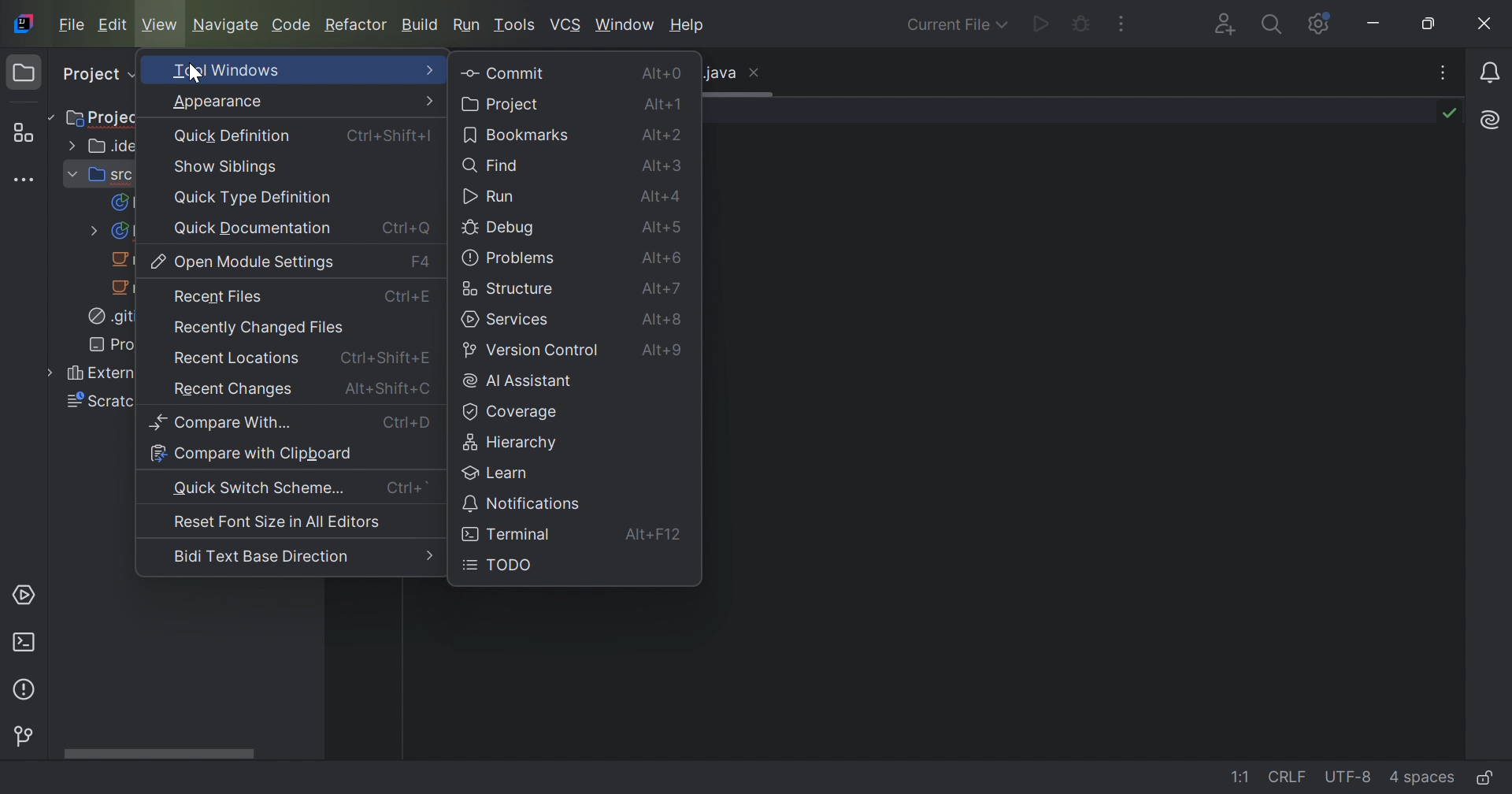 This screenshot has height=794, width=1512. Describe the element at coordinates (407, 488) in the screenshot. I see `Ctrl+`` at that location.